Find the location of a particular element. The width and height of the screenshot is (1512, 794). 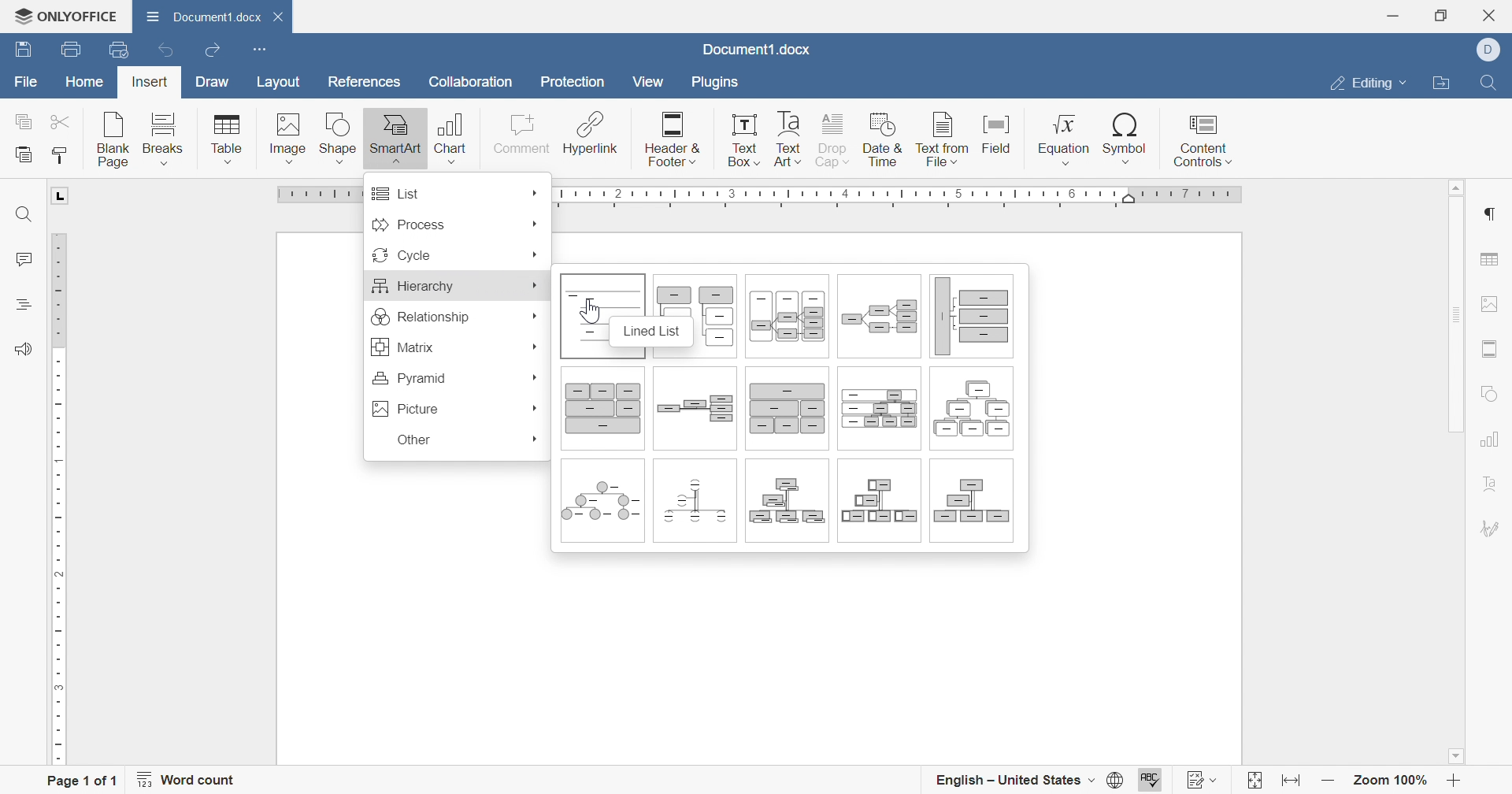

Set document language is located at coordinates (1116, 779).